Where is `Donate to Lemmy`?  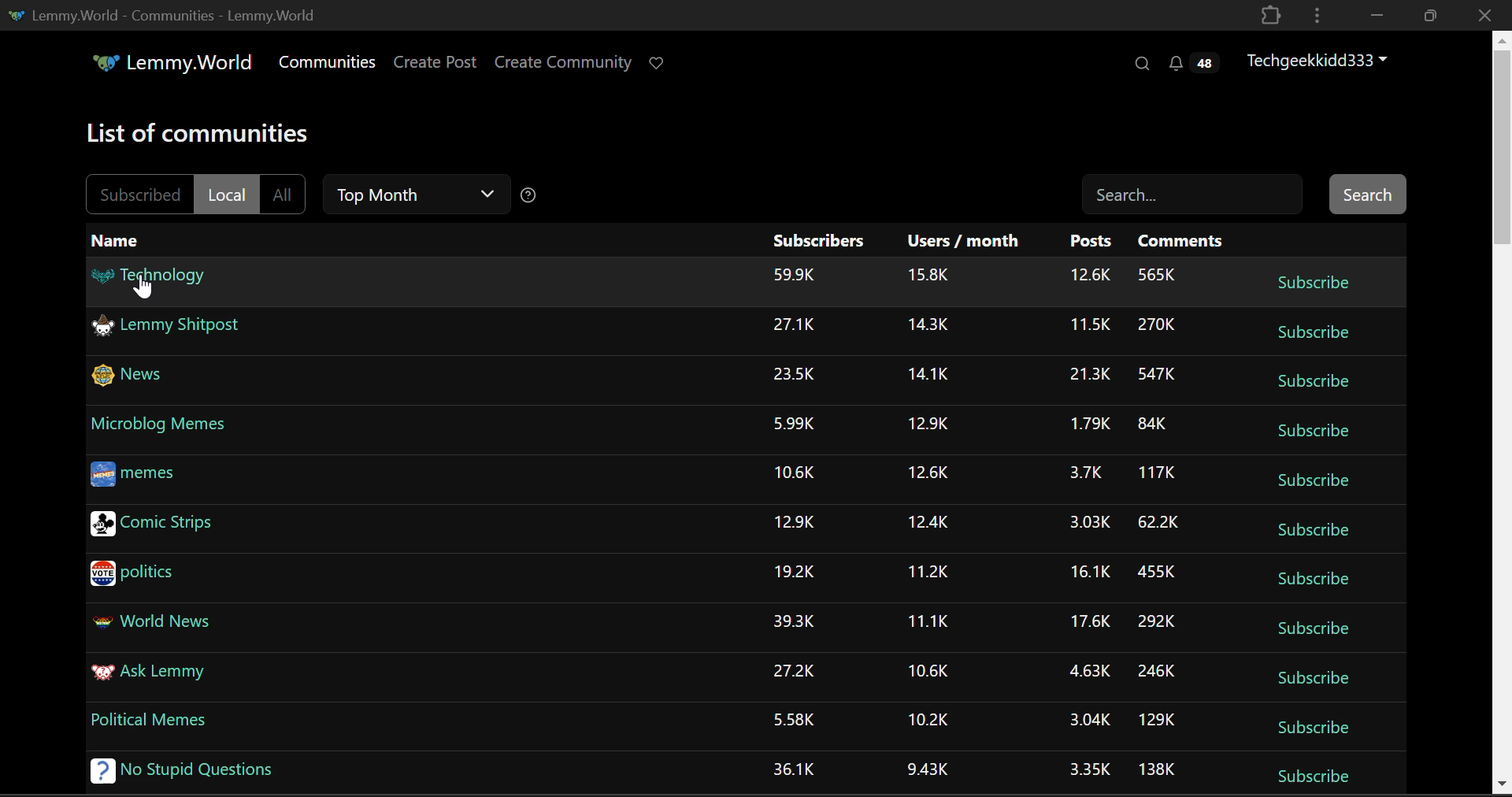 Donate to Lemmy is located at coordinates (658, 65).